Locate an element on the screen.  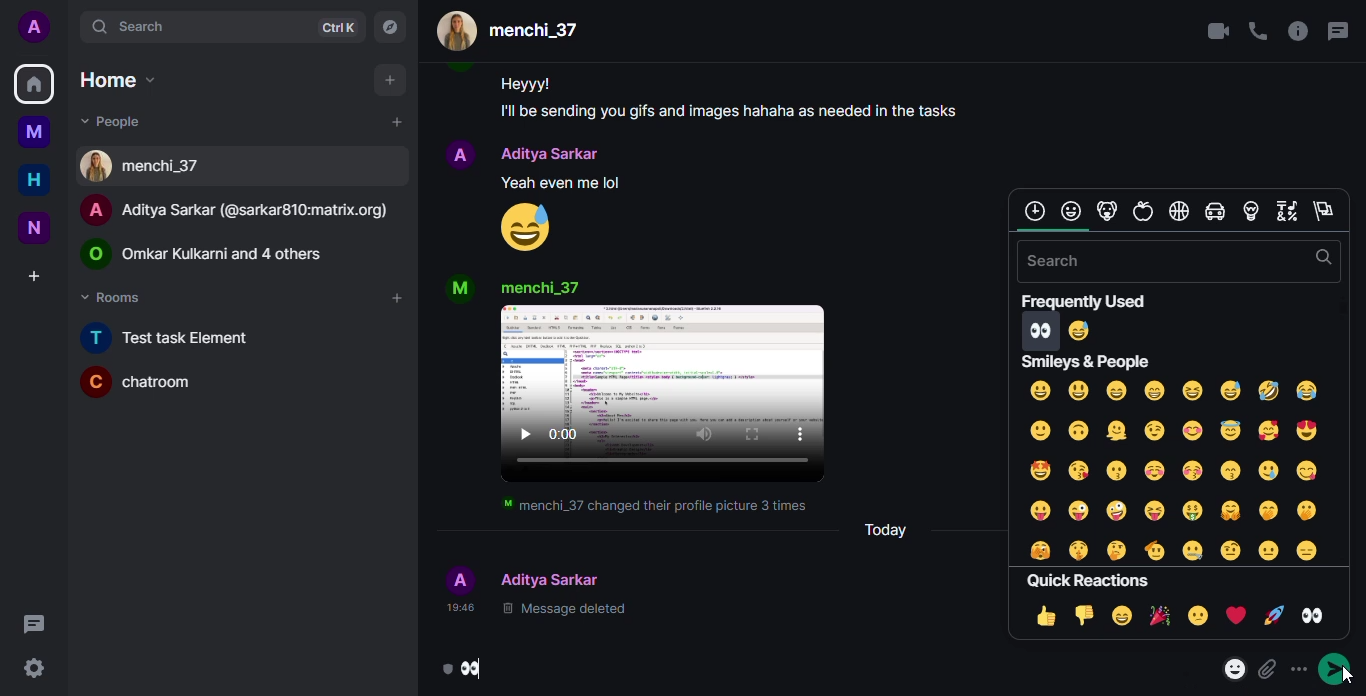
people is located at coordinates (553, 578).